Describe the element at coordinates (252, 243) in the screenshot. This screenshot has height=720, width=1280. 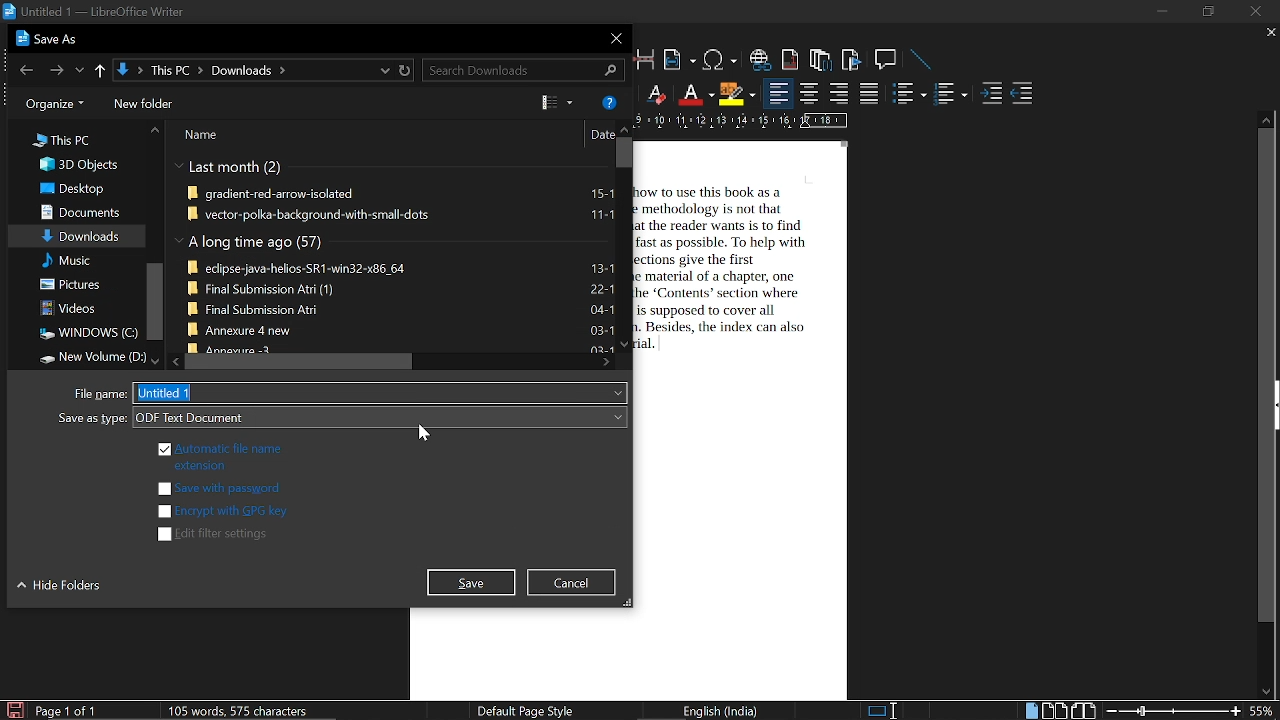
I see `A long time ago (57)` at that location.